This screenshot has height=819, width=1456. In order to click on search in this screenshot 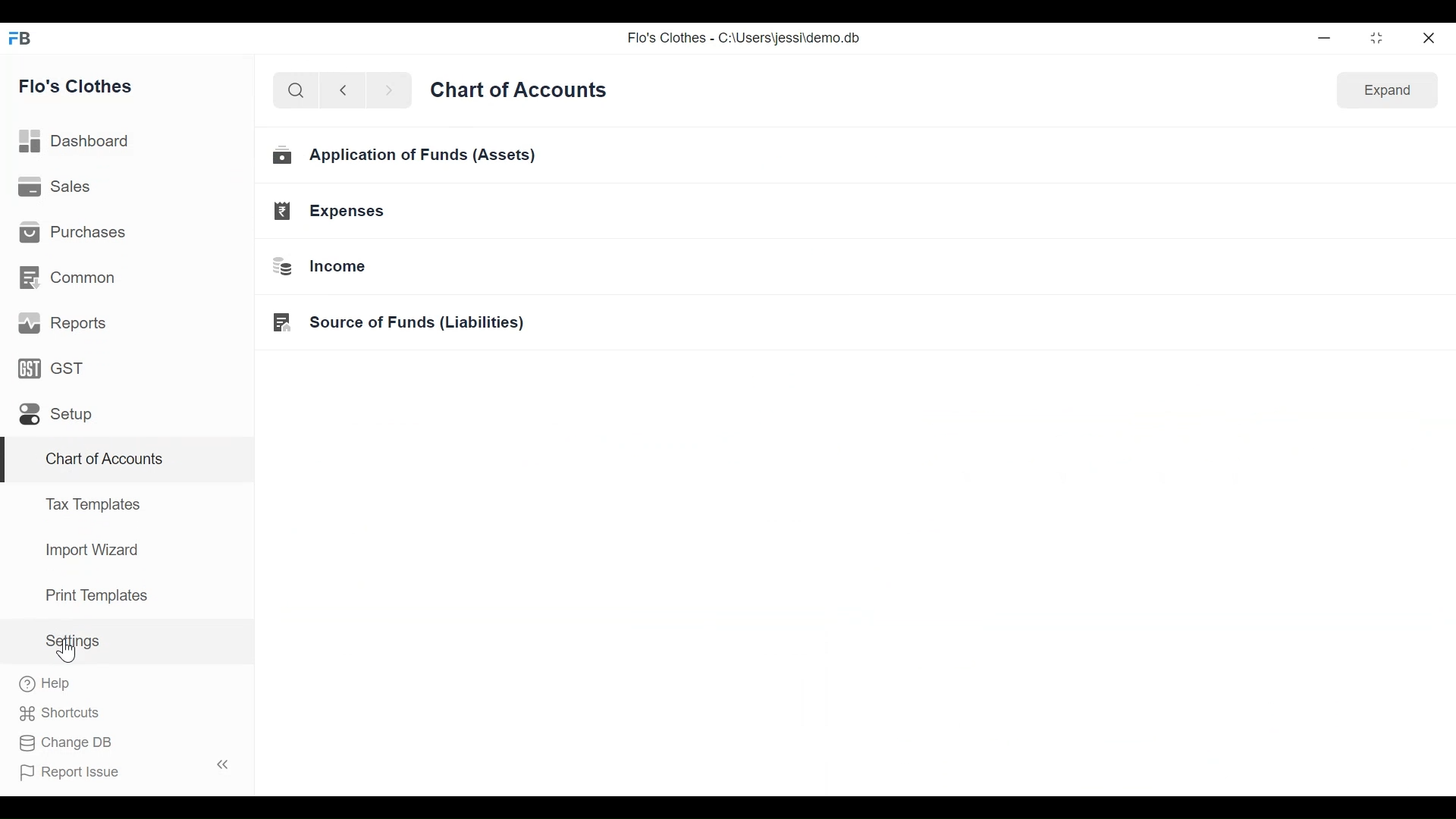, I will do `click(295, 90)`.